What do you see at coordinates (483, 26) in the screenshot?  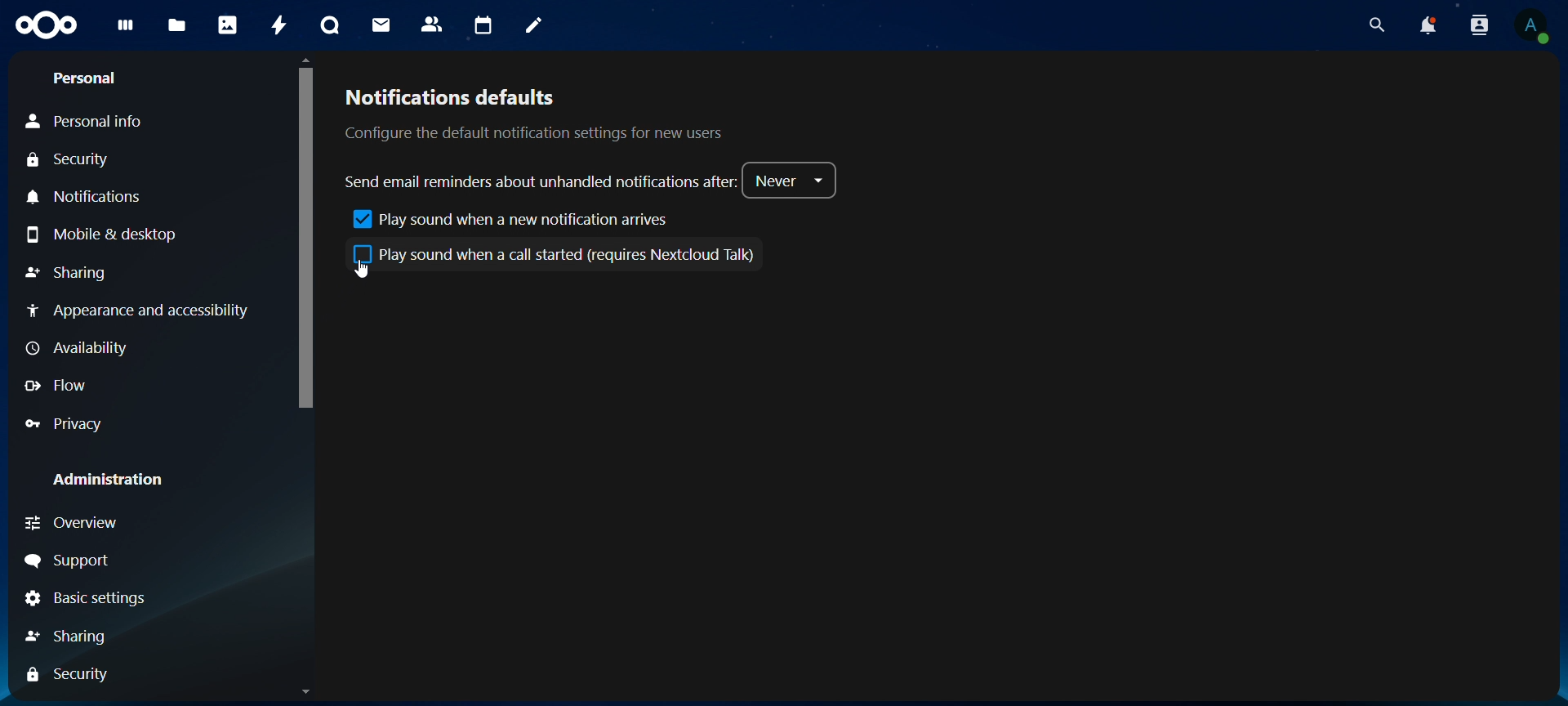 I see `calendar` at bounding box center [483, 26].